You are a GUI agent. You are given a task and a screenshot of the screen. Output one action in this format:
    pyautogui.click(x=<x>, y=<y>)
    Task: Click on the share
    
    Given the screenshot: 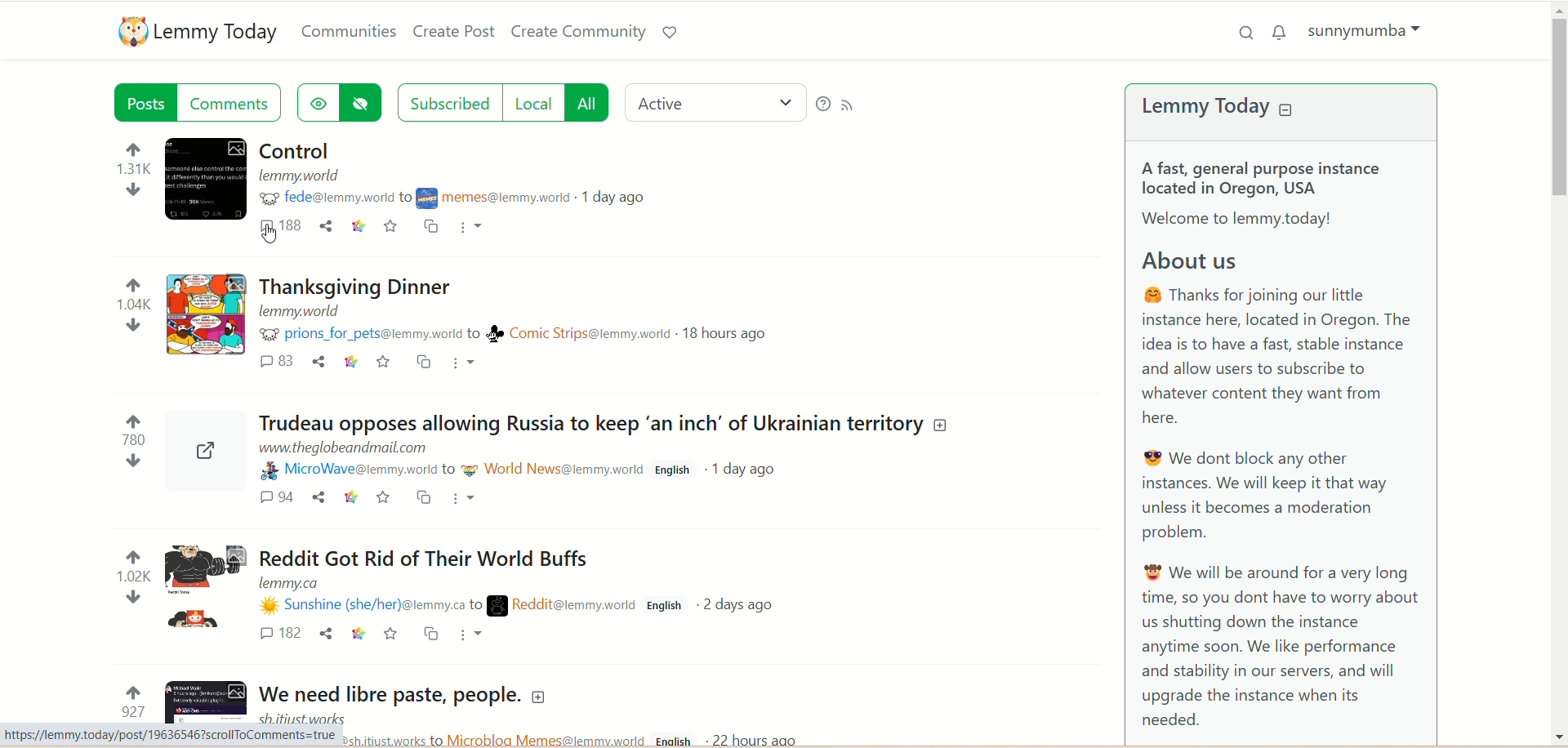 What is the action you would take?
    pyautogui.click(x=331, y=231)
    